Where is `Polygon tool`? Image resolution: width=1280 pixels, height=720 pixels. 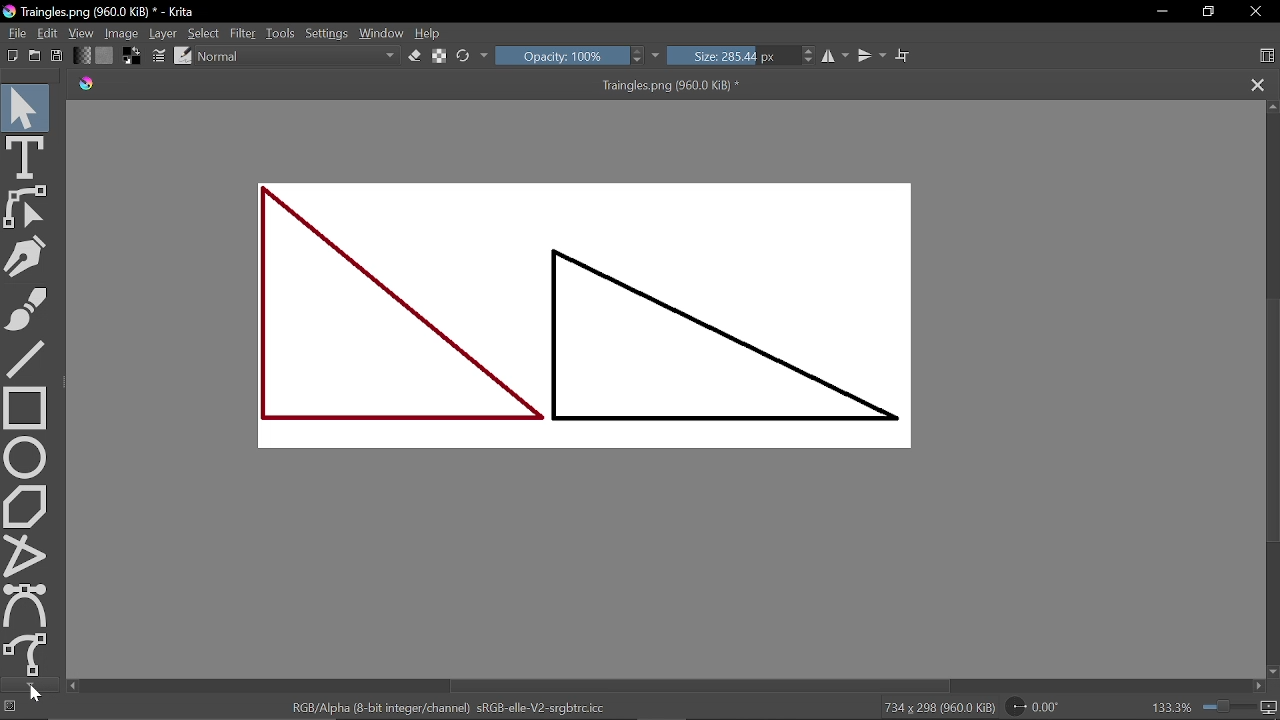 Polygon tool is located at coordinates (27, 506).